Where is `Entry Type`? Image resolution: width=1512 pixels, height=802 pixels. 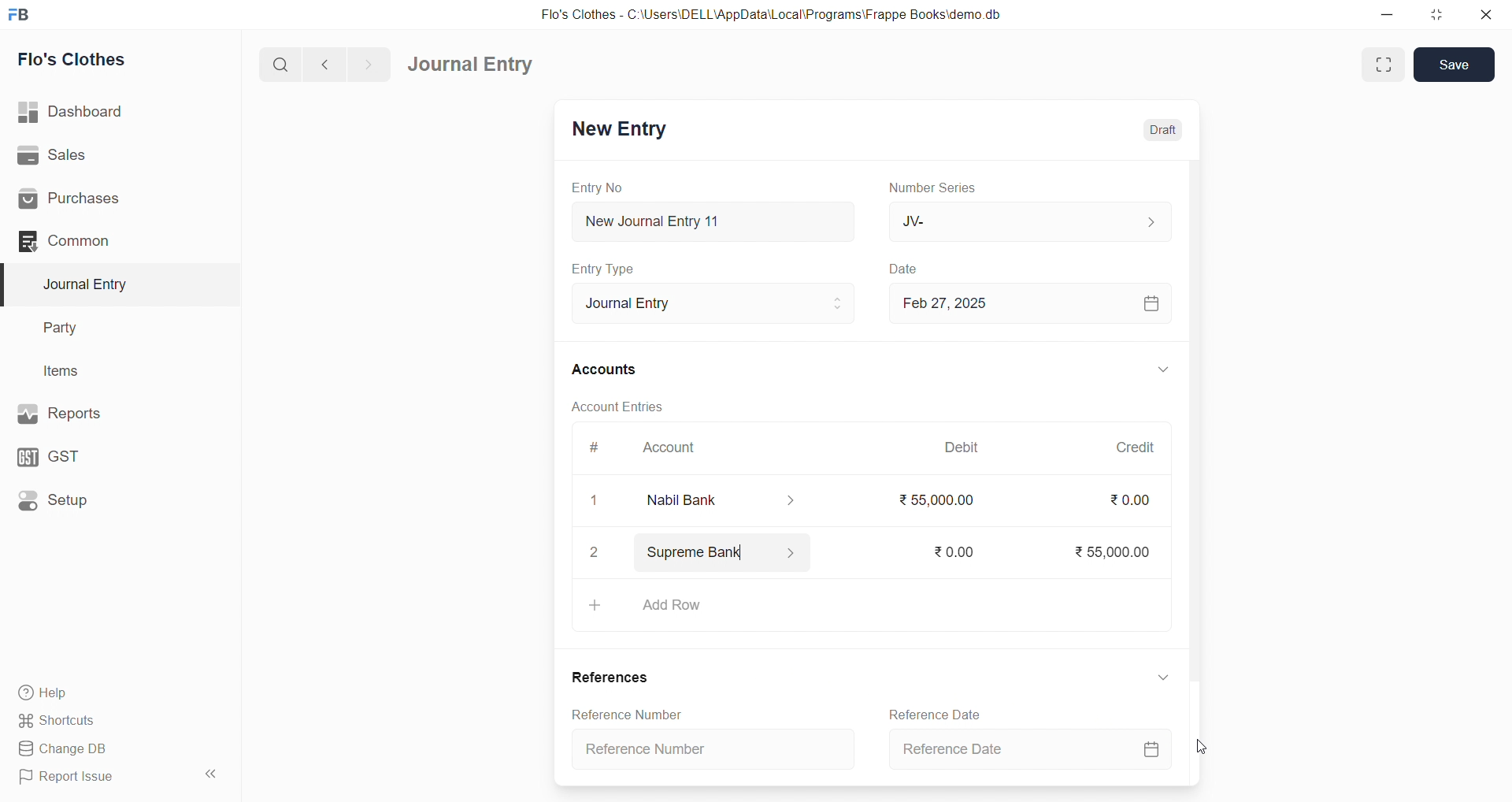
Entry Type is located at coordinates (604, 269).